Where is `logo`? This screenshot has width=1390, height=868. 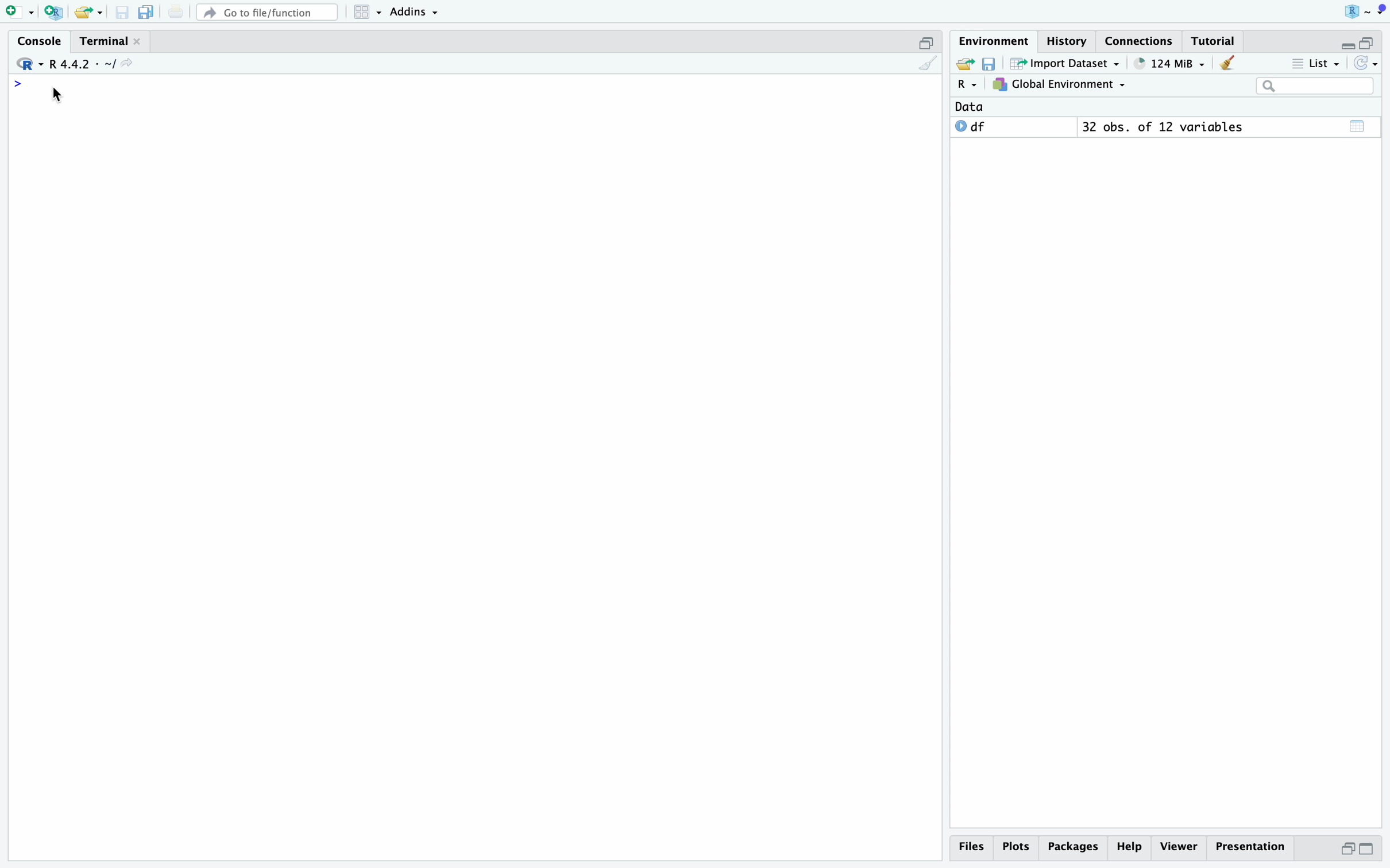
logo is located at coordinates (1365, 12).